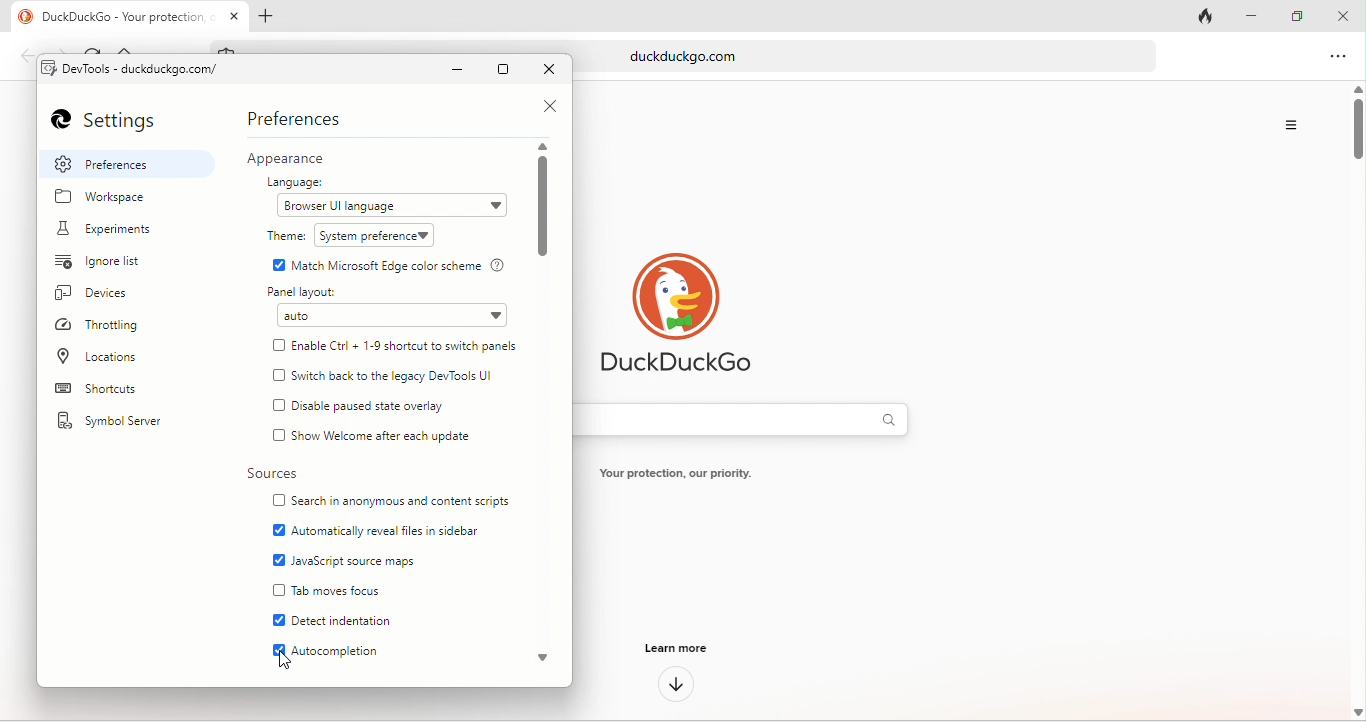 The height and width of the screenshot is (722, 1366). What do you see at coordinates (269, 16) in the screenshot?
I see `add` at bounding box center [269, 16].